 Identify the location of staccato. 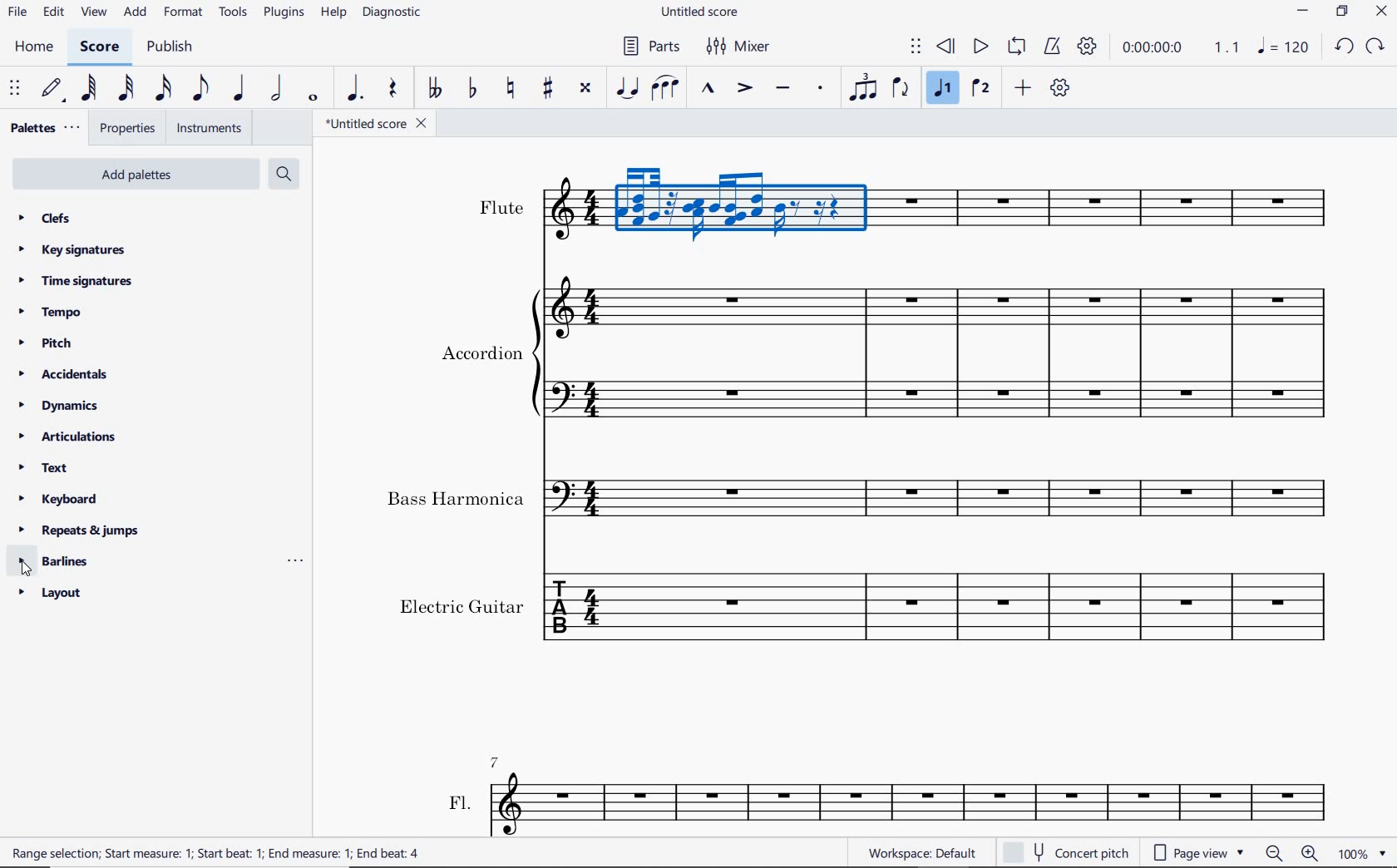
(822, 87).